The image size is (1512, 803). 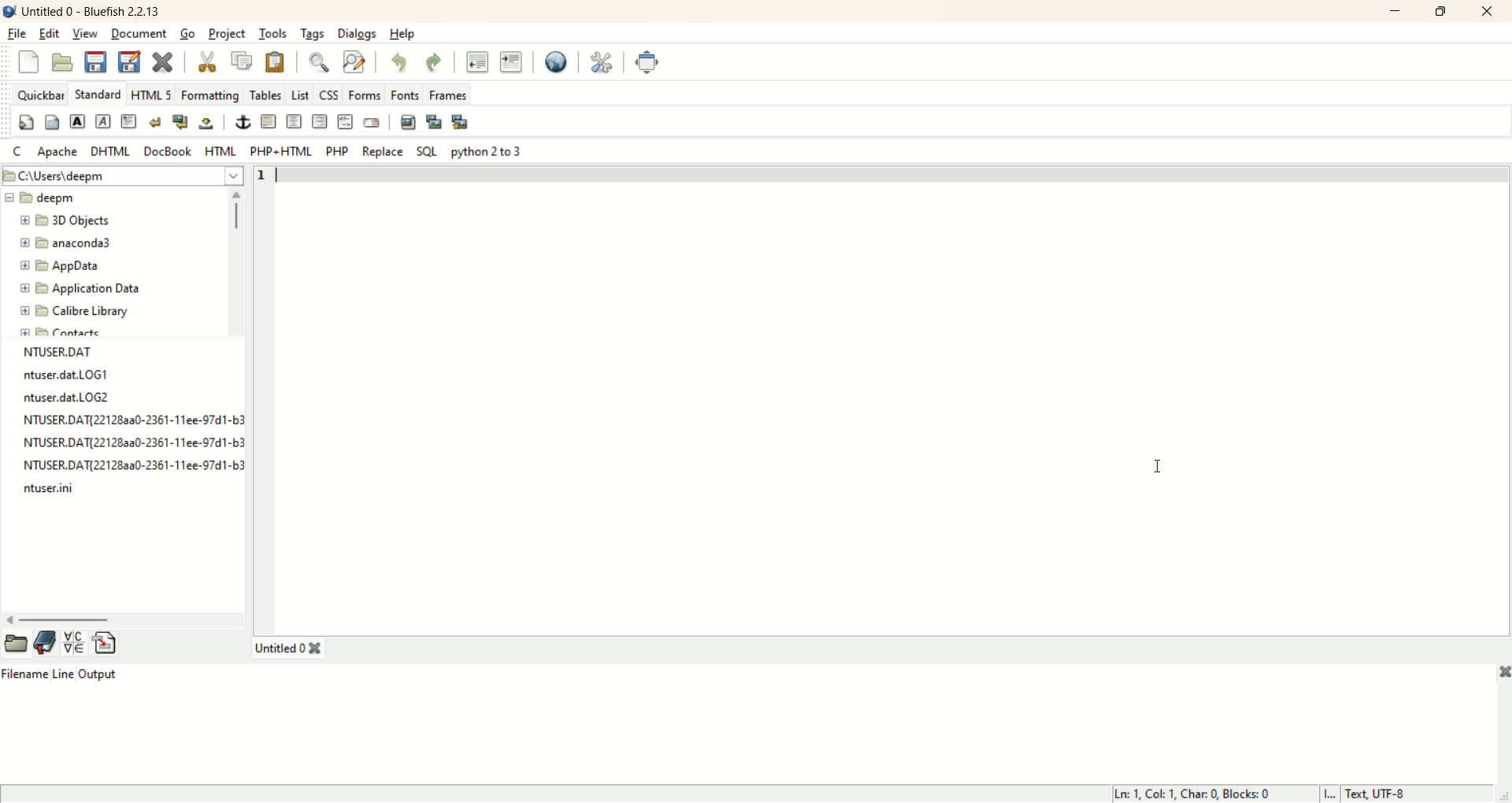 What do you see at coordinates (313, 33) in the screenshot?
I see `tags` at bounding box center [313, 33].